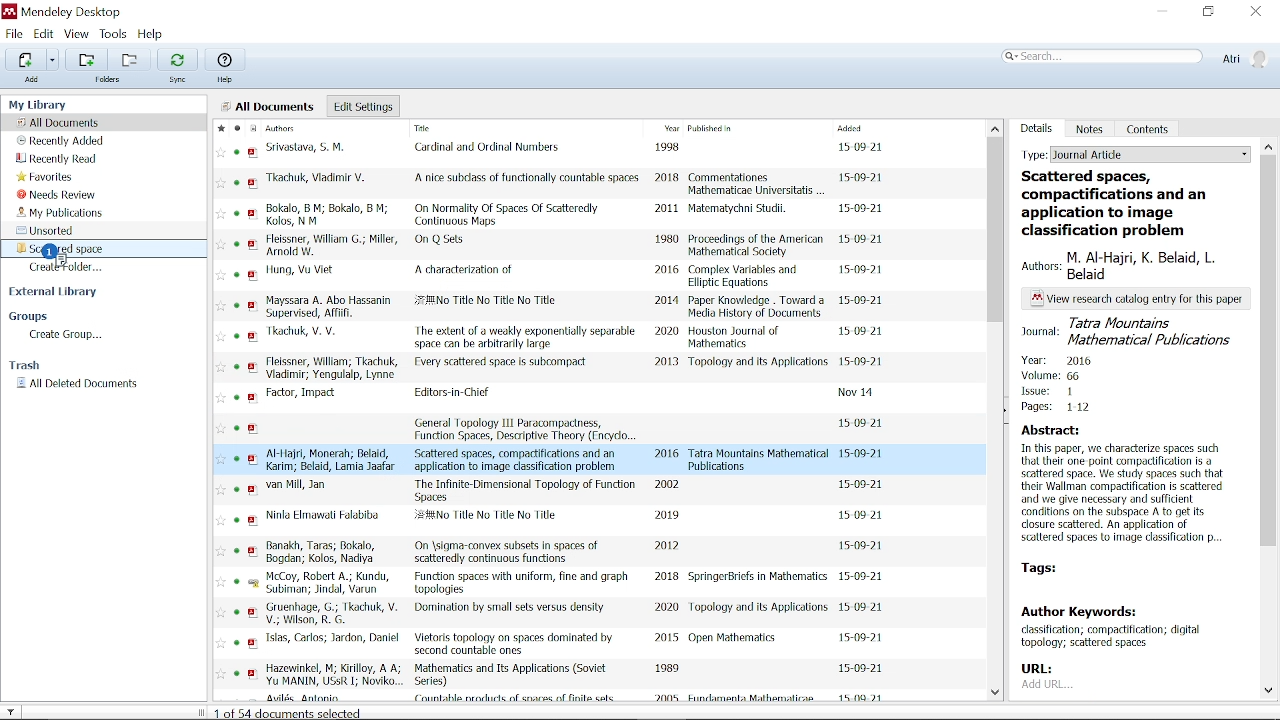  Describe the element at coordinates (1126, 488) in the screenshot. I see `abstract` at that location.